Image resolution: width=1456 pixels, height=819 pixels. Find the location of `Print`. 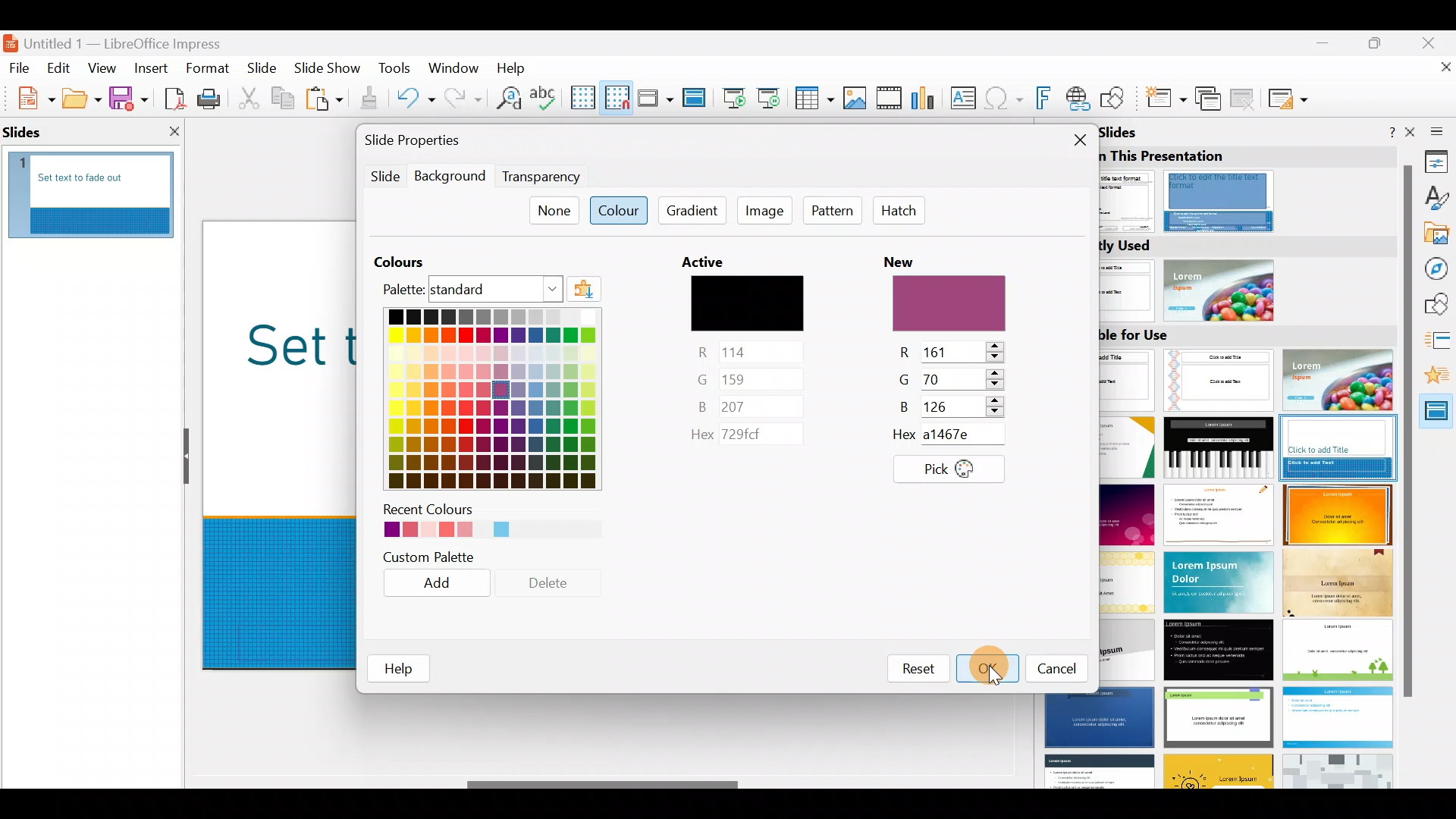

Print is located at coordinates (213, 100).